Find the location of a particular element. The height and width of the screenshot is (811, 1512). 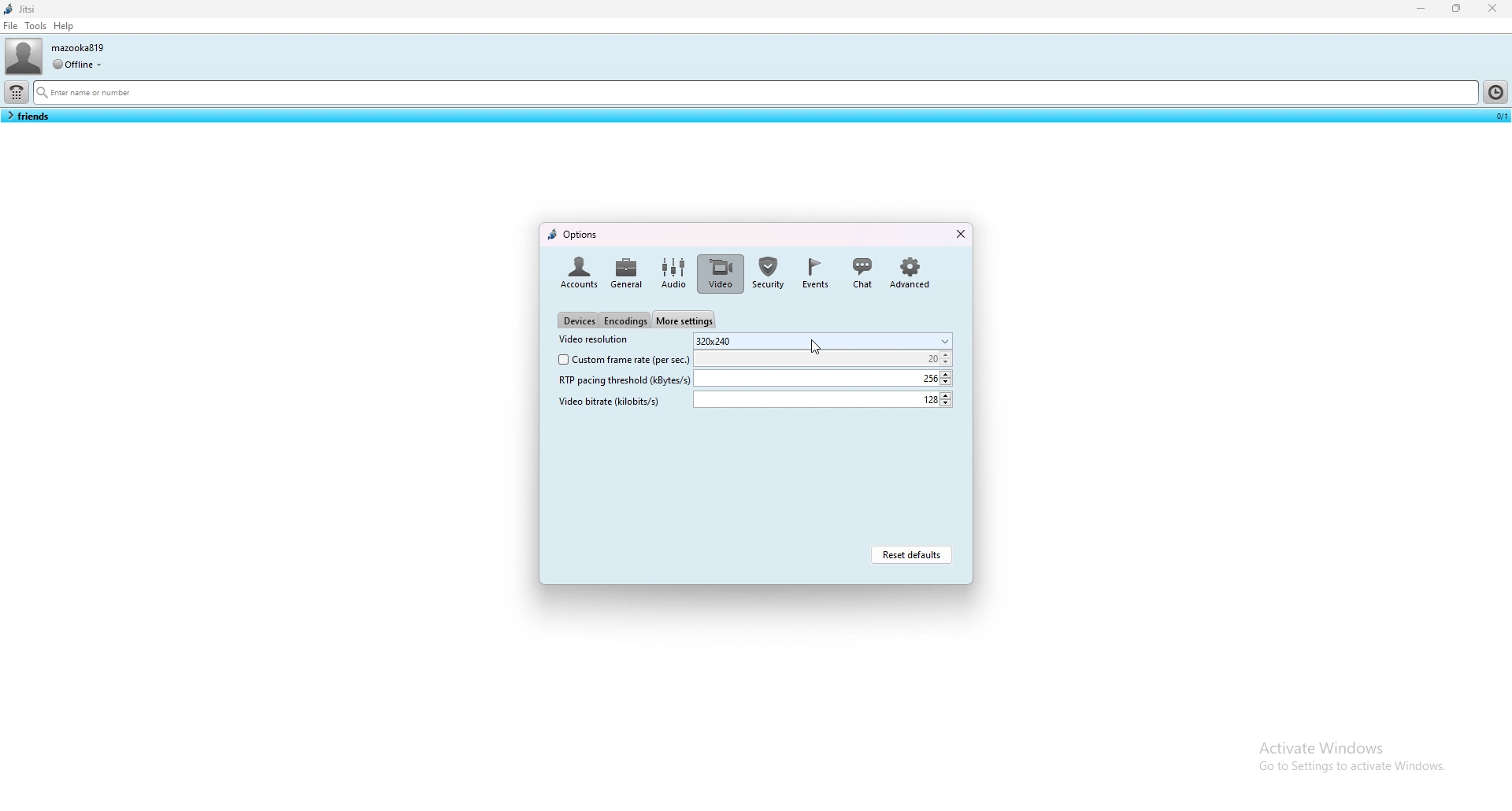

jitsi is located at coordinates (23, 9).